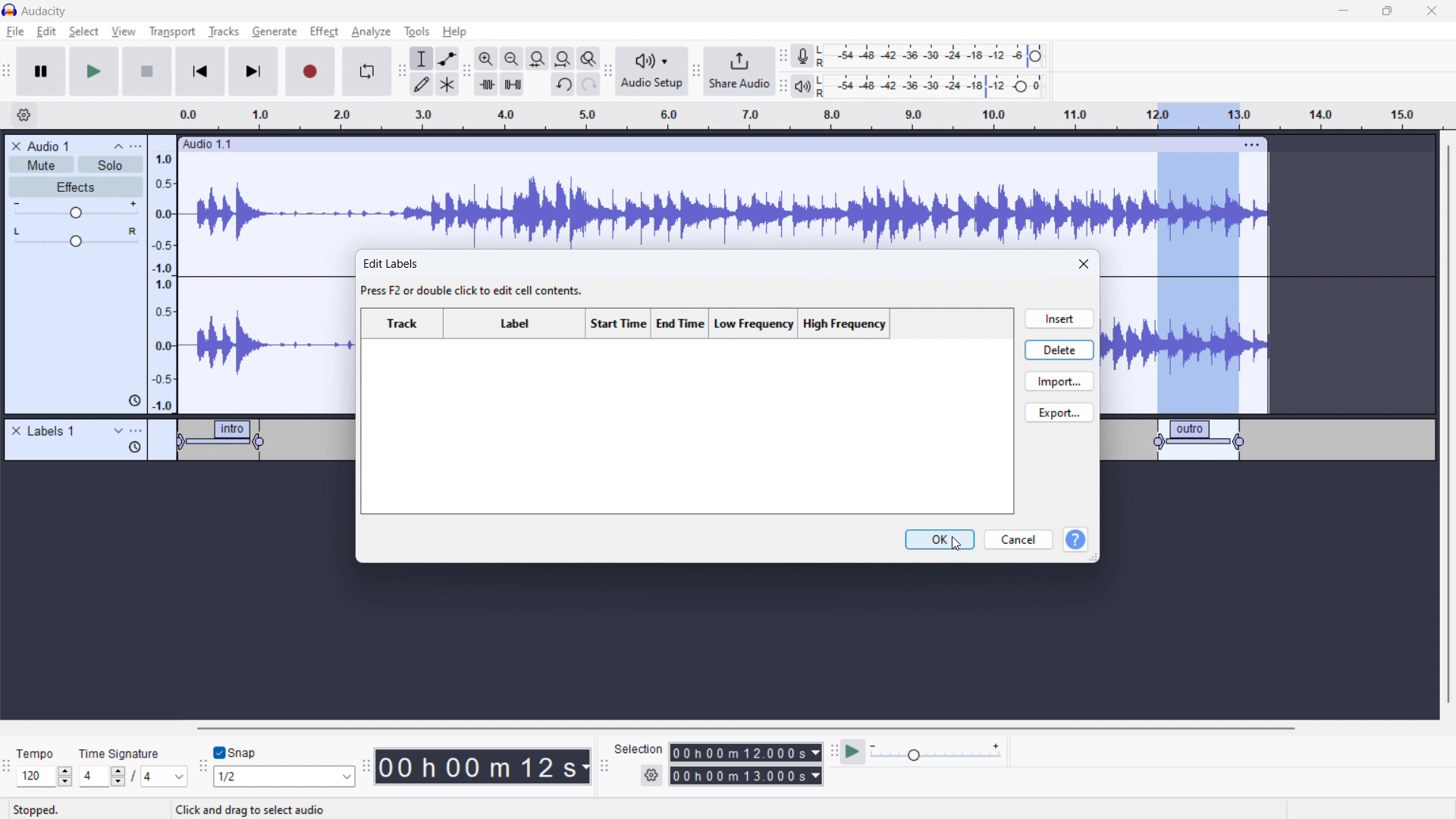  I want to click on label 1, so click(224, 442).